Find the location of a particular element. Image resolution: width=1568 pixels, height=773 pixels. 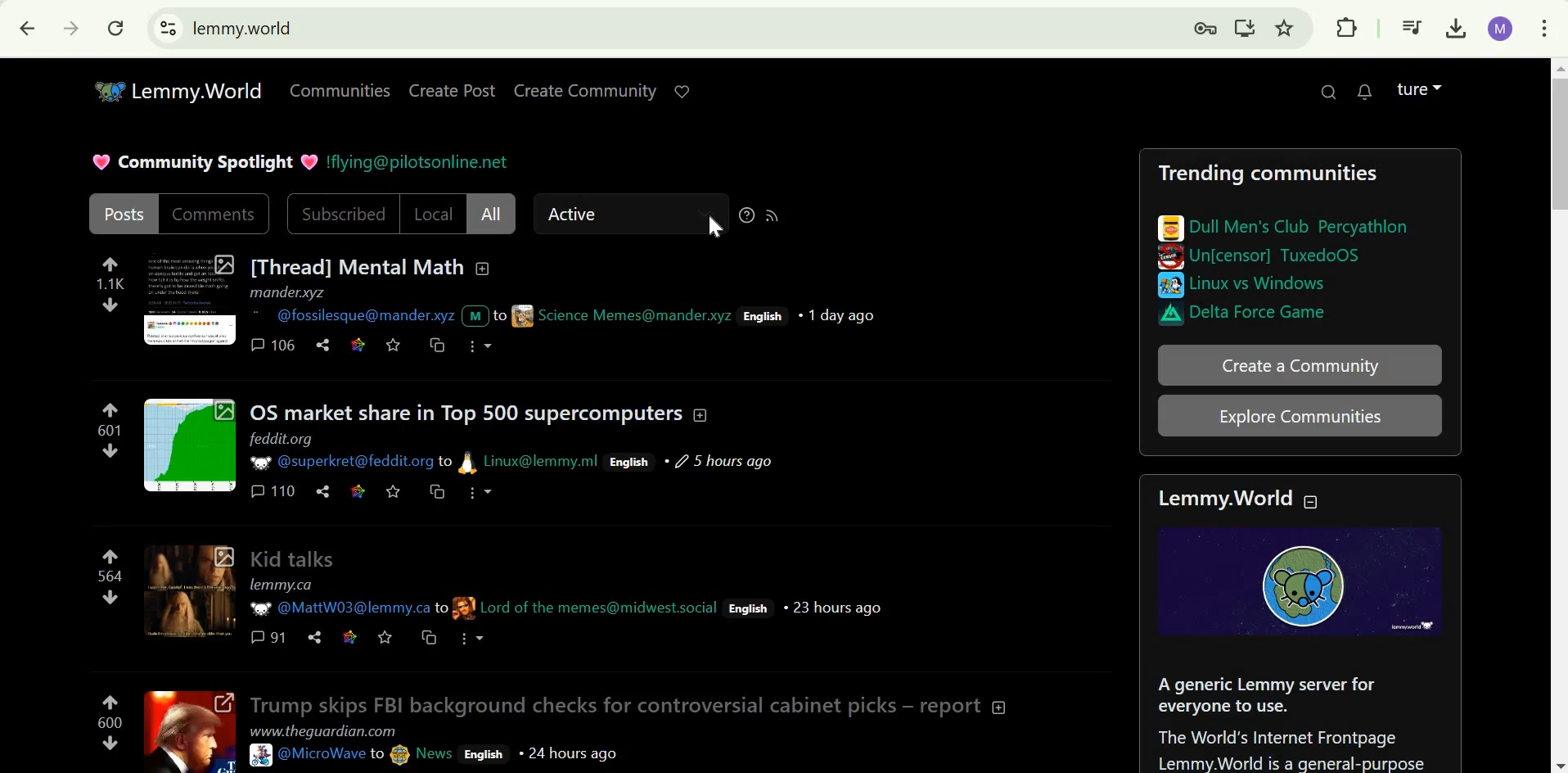

downvote is located at coordinates (109, 742).